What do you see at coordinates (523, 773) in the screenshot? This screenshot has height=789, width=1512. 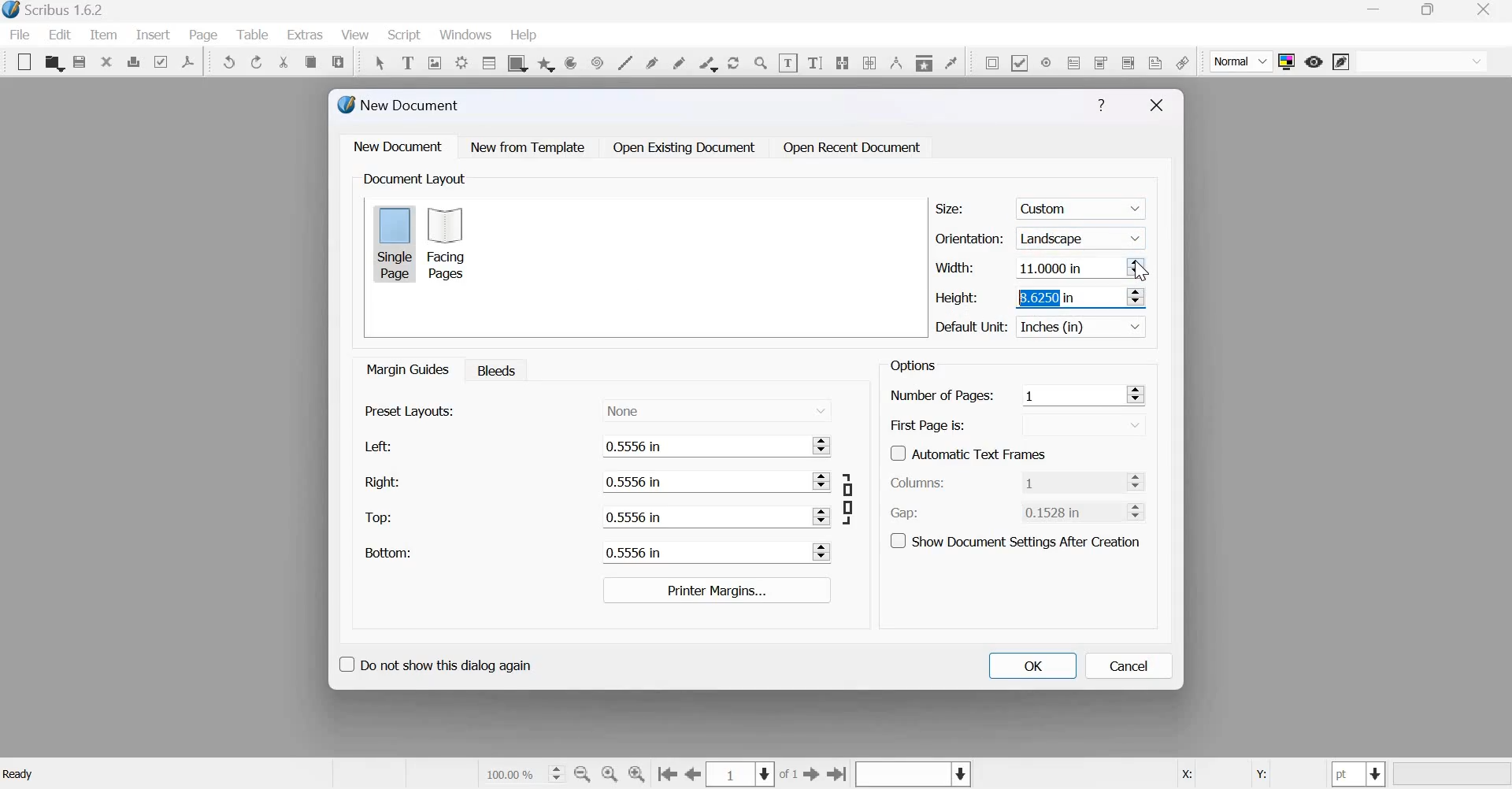 I see `current zoom level` at bounding box center [523, 773].